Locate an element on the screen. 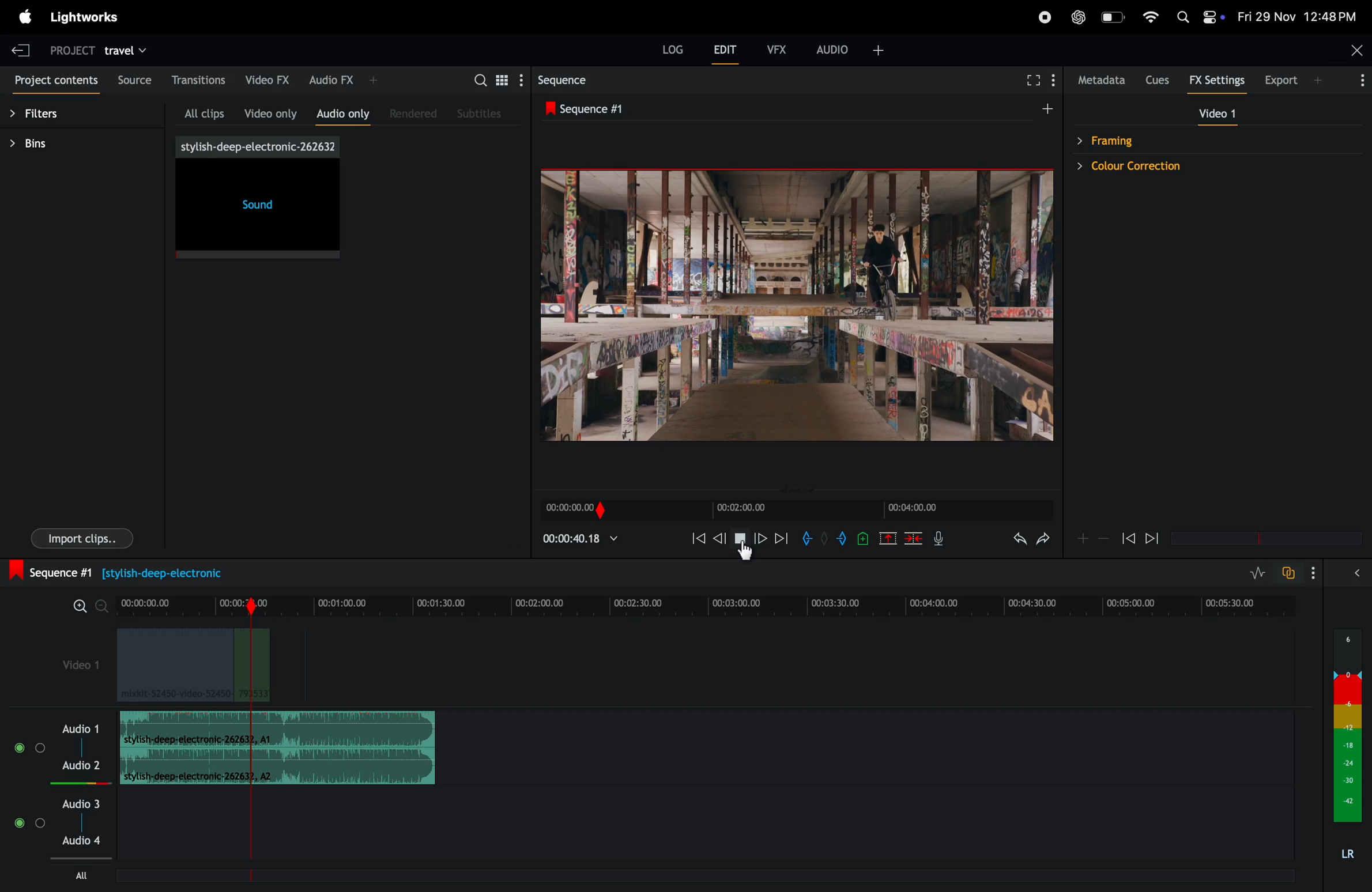 This screenshot has width=1372, height=892. transactions is located at coordinates (200, 80).